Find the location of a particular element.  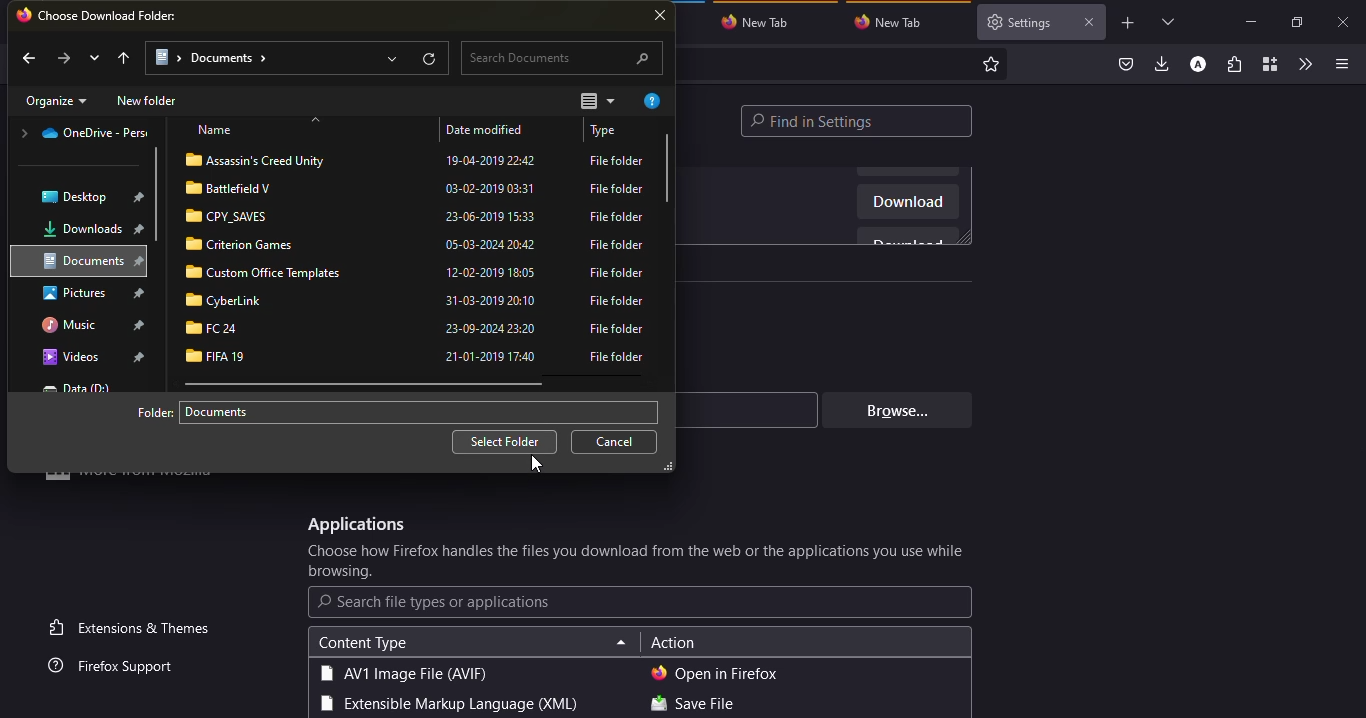

support is located at coordinates (117, 667).